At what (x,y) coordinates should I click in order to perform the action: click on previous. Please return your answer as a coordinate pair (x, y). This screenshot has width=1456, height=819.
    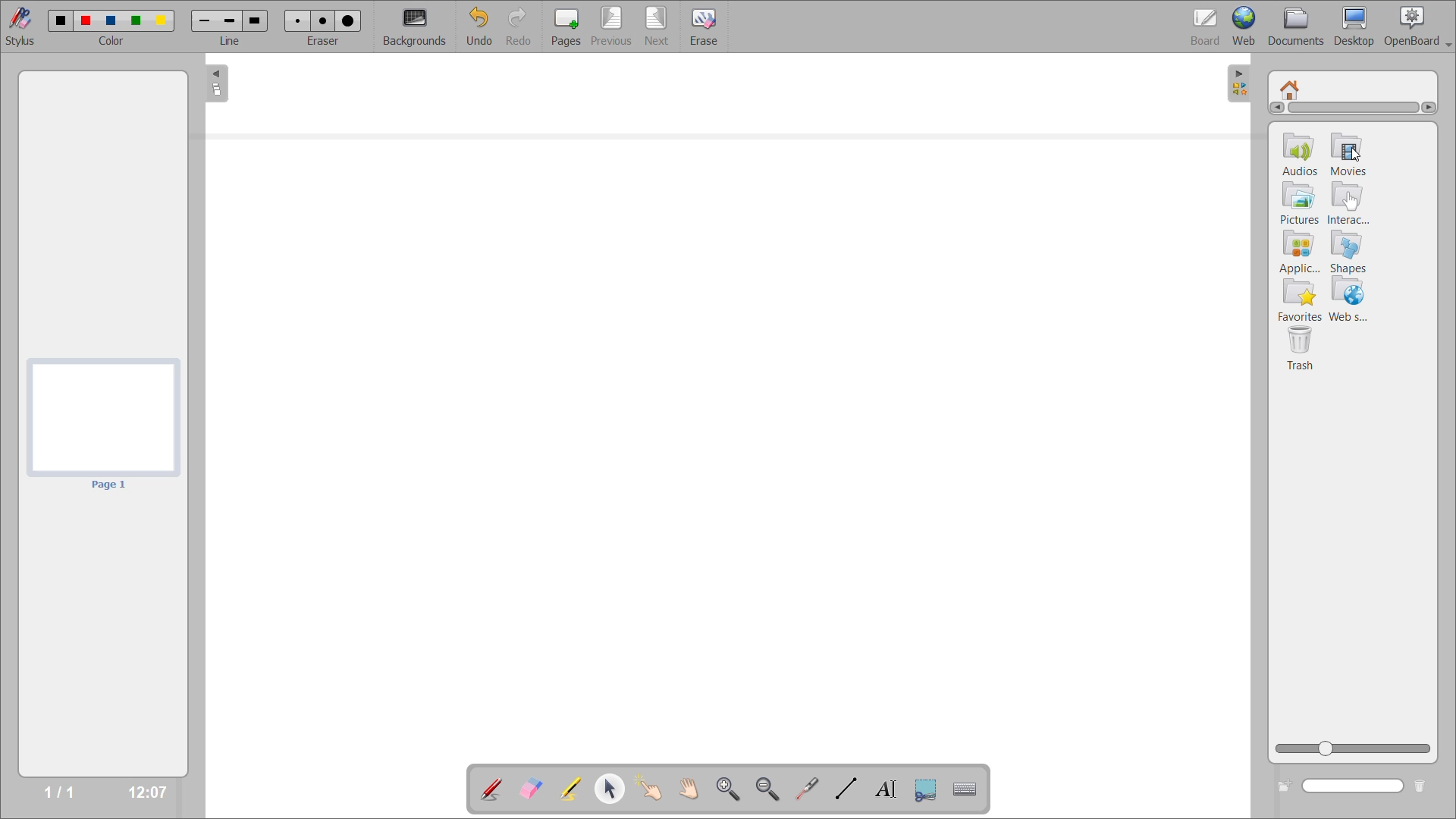
    Looking at the image, I should click on (609, 27).